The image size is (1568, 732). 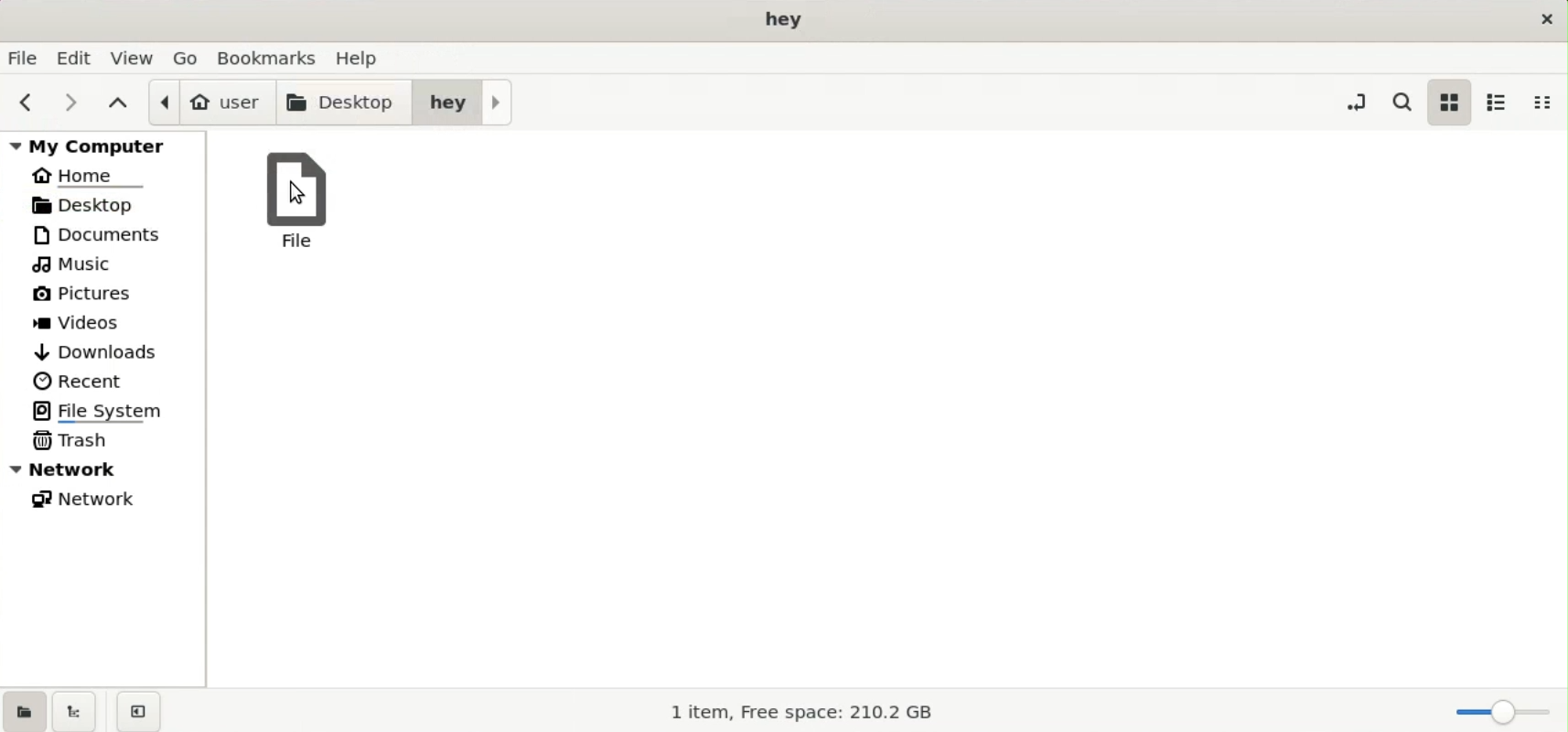 What do you see at coordinates (1543, 18) in the screenshot?
I see `close` at bounding box center [1543, 18].